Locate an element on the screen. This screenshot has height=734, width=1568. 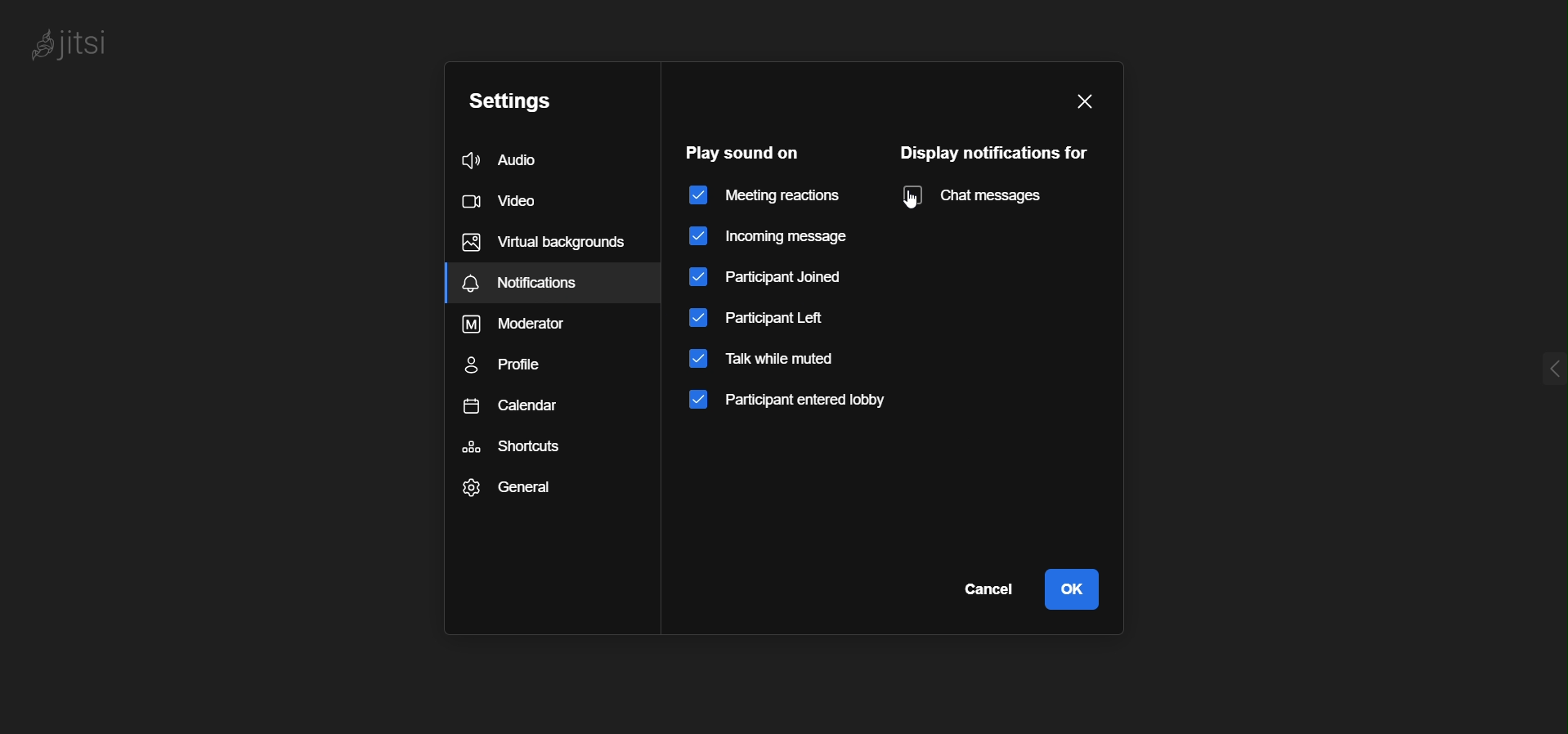
expand is located at coordinates (1521, 369).